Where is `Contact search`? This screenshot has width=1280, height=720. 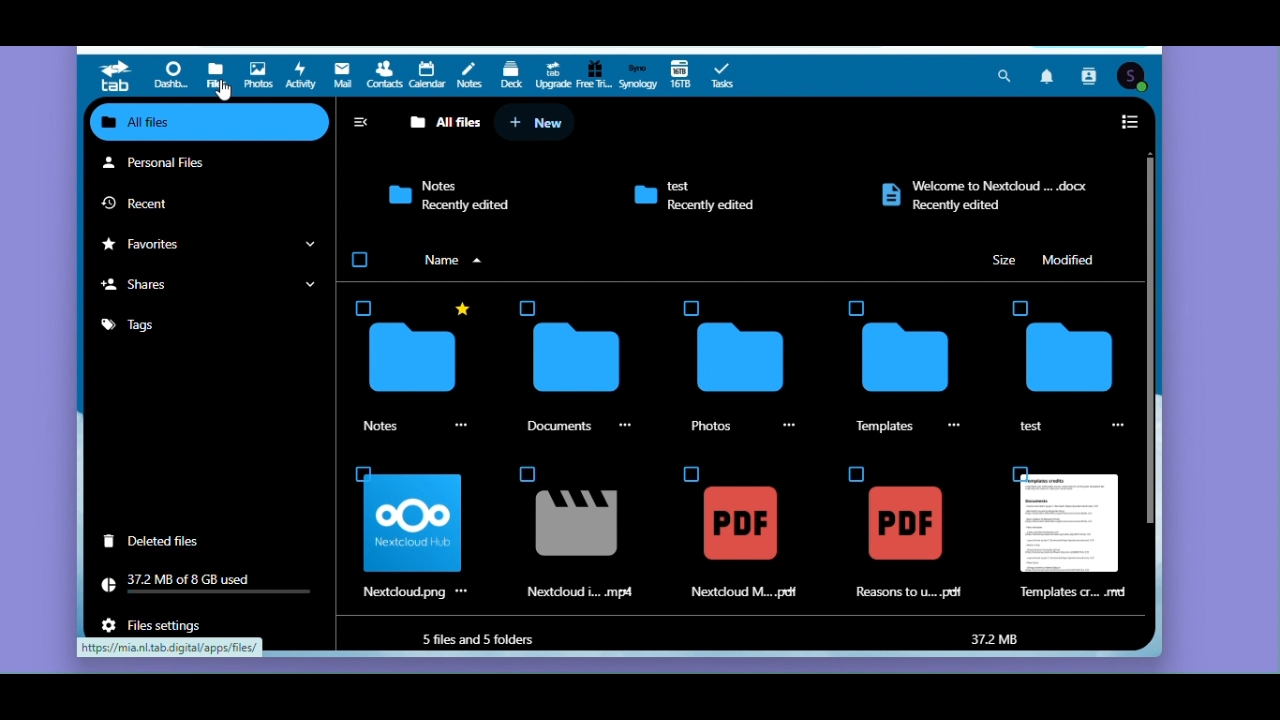 Contact search is located at coordinates (1087, 80).